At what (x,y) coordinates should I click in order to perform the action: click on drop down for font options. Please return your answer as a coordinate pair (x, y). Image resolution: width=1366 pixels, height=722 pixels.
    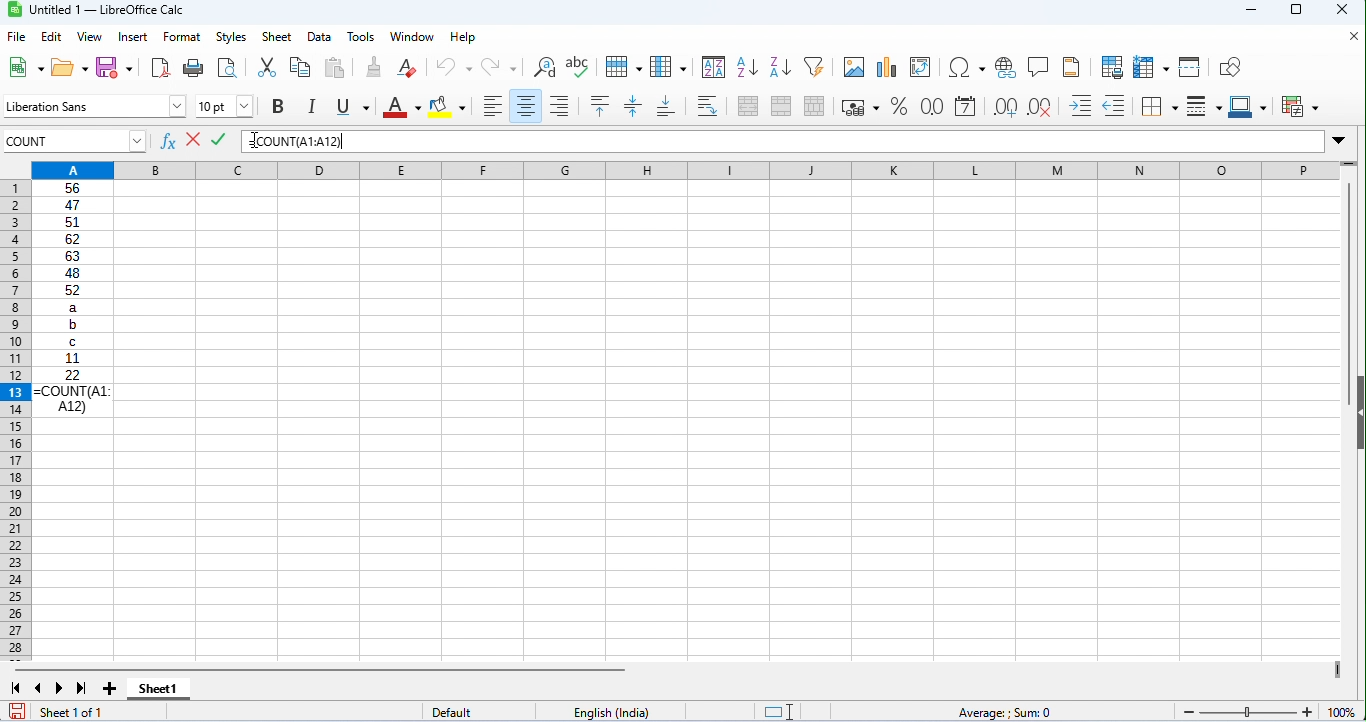
    Looking at the image, I should click on (178, 106).